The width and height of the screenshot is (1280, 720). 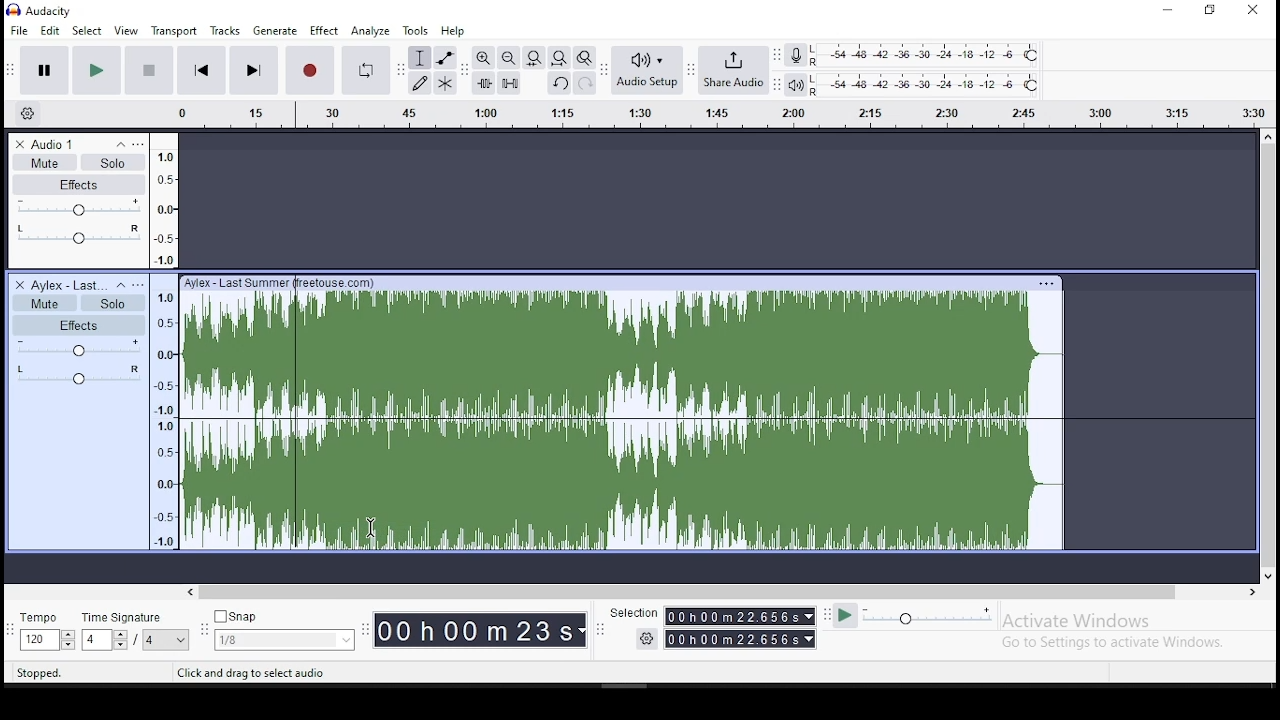 What do you see at coordinates (484, 83) in the screenshot?
I see `trim audio outside selection` at bounding box center [484, 83].